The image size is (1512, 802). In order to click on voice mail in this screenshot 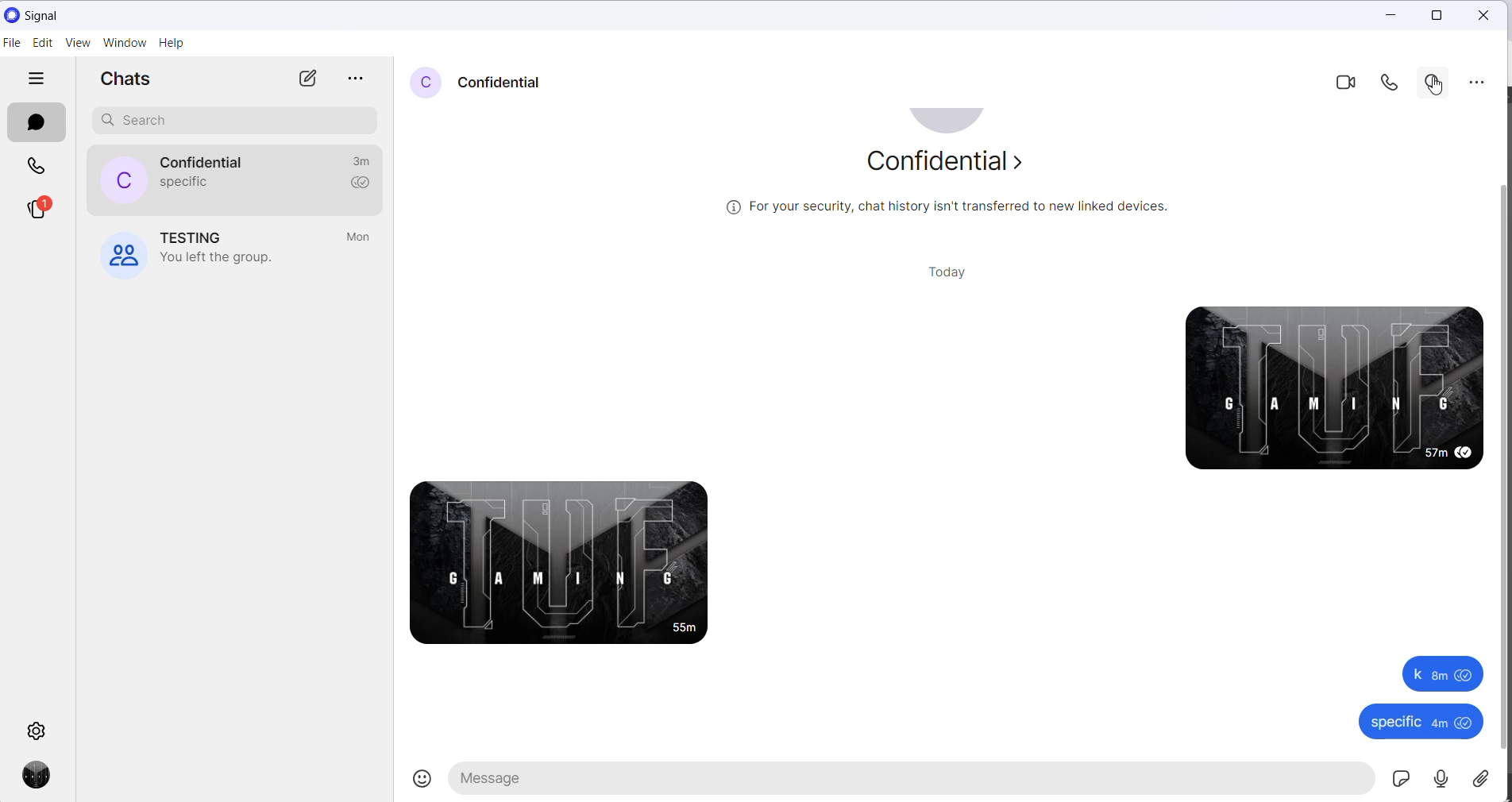, I will do `click(1439, 781)`.